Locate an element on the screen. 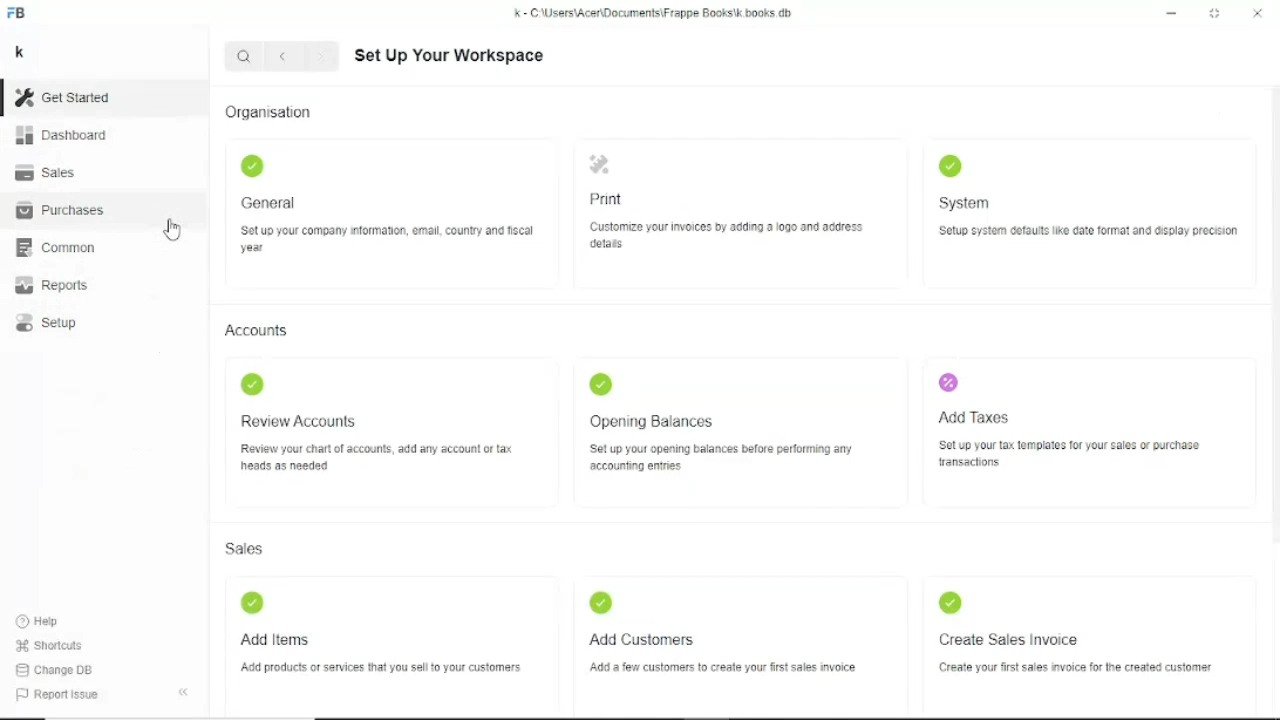  Print customize your invoices by adding a logo and address details. is located at coordinates (724, 202).